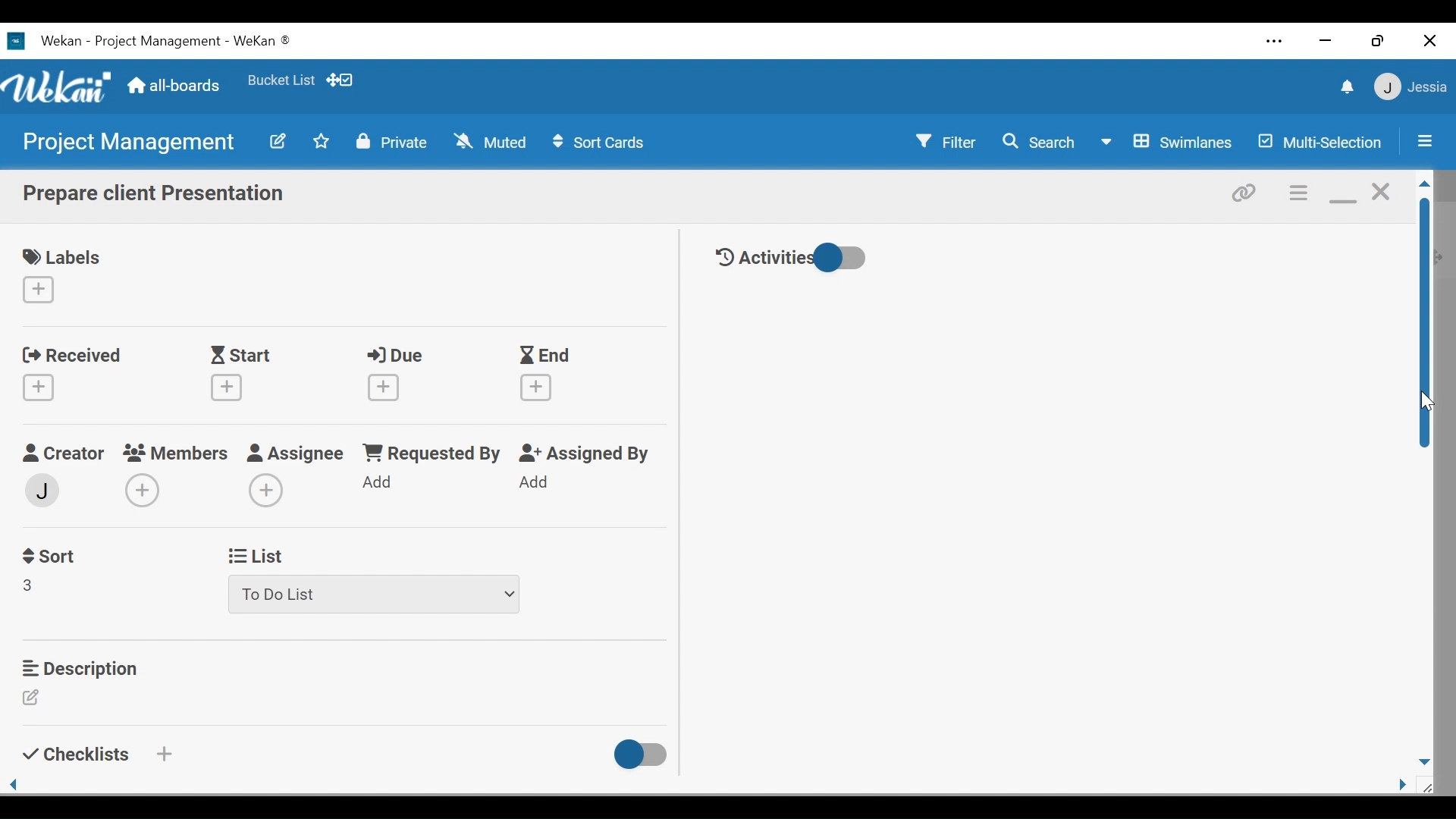 This screenshot has width=1456, height=819. Describe the element at coordinates (143, 491) in the screenshot. I see `Add members` at that location.